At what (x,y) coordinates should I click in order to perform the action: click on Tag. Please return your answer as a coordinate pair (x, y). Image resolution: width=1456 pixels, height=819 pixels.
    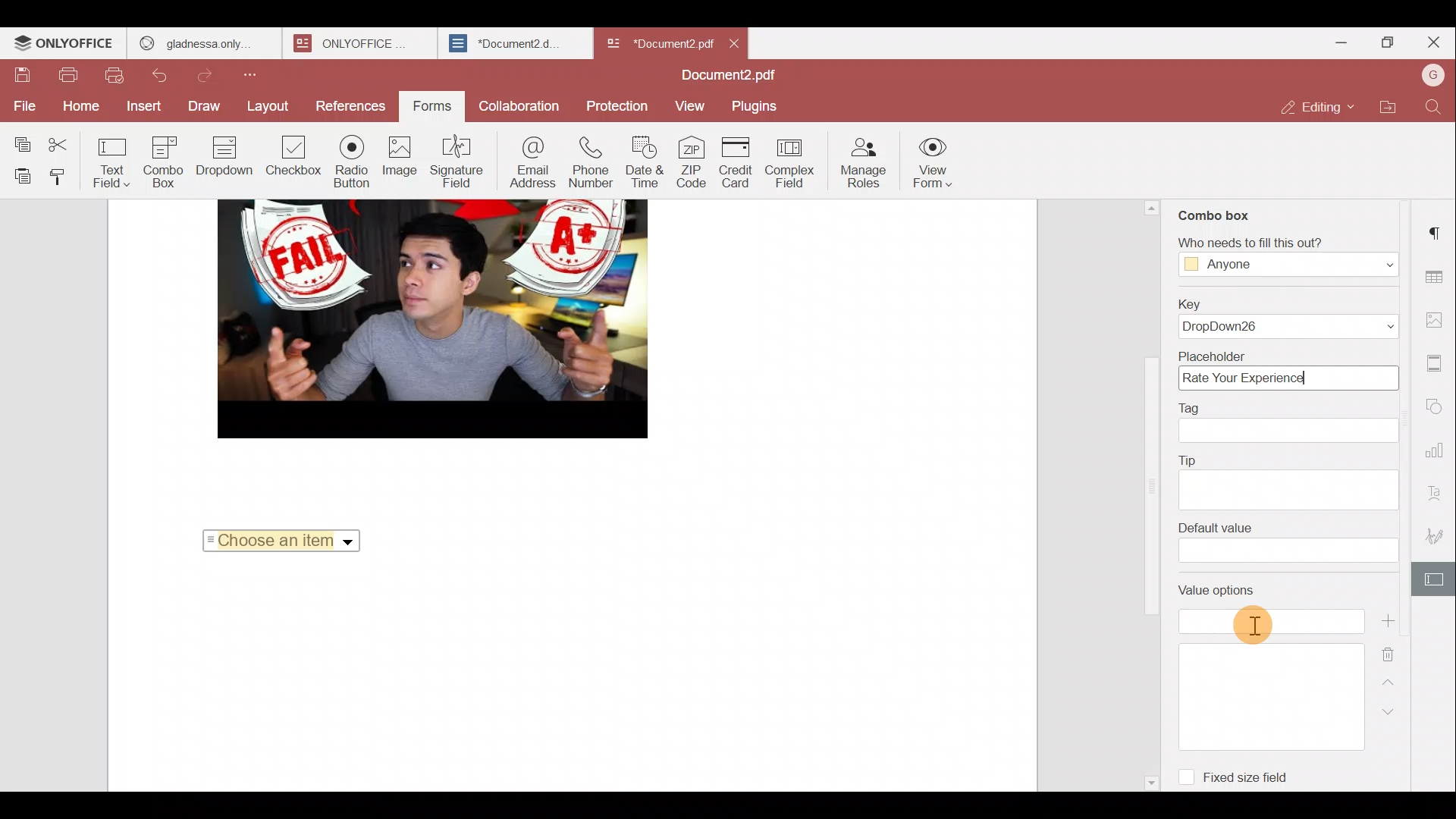
    Looking at the image, I should click on (1291, 422).